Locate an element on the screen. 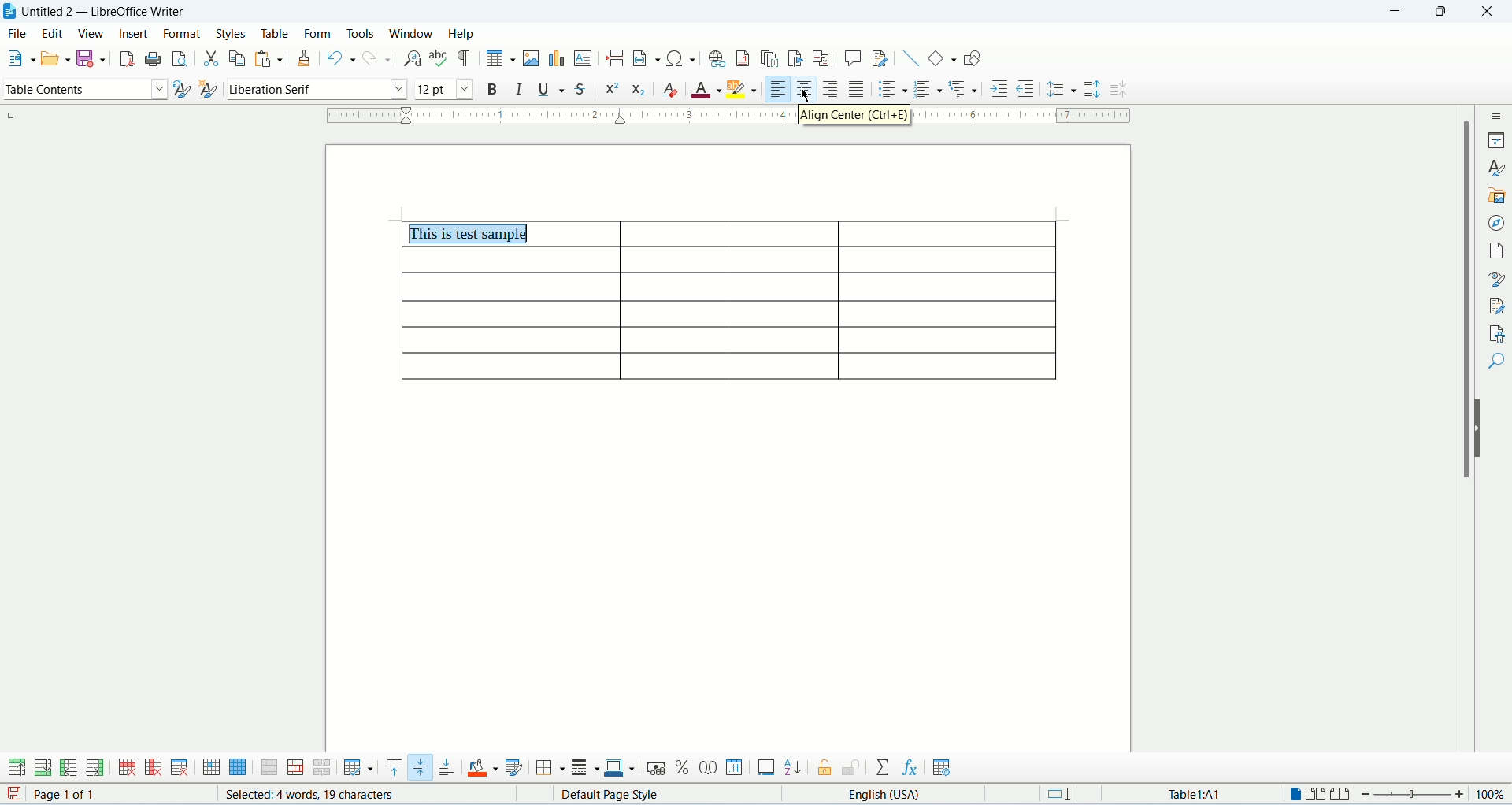  bold is located at coordinates (495, 90).